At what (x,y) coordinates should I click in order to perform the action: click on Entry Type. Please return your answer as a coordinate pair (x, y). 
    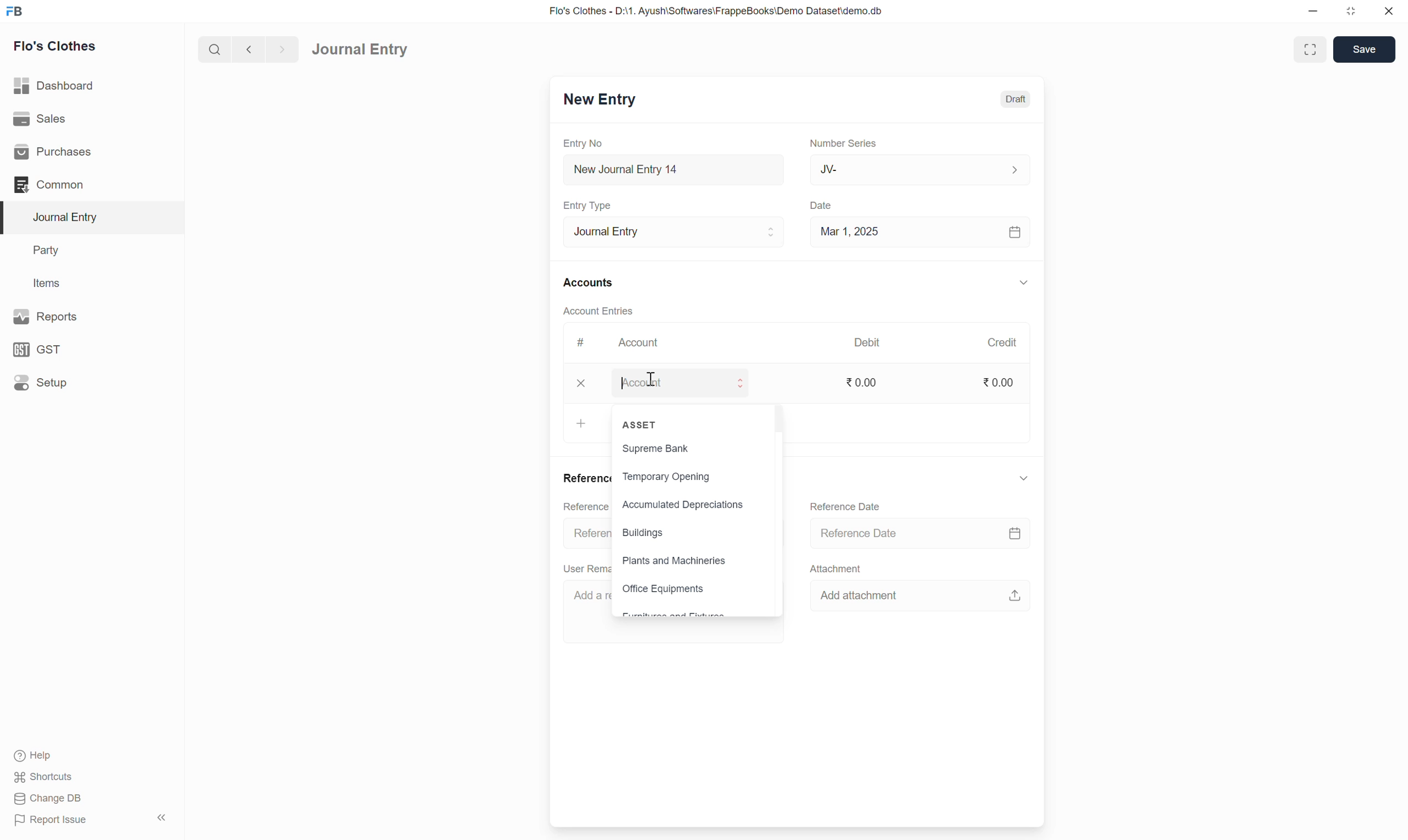
    Looking at the image, I should click on (591, 205).